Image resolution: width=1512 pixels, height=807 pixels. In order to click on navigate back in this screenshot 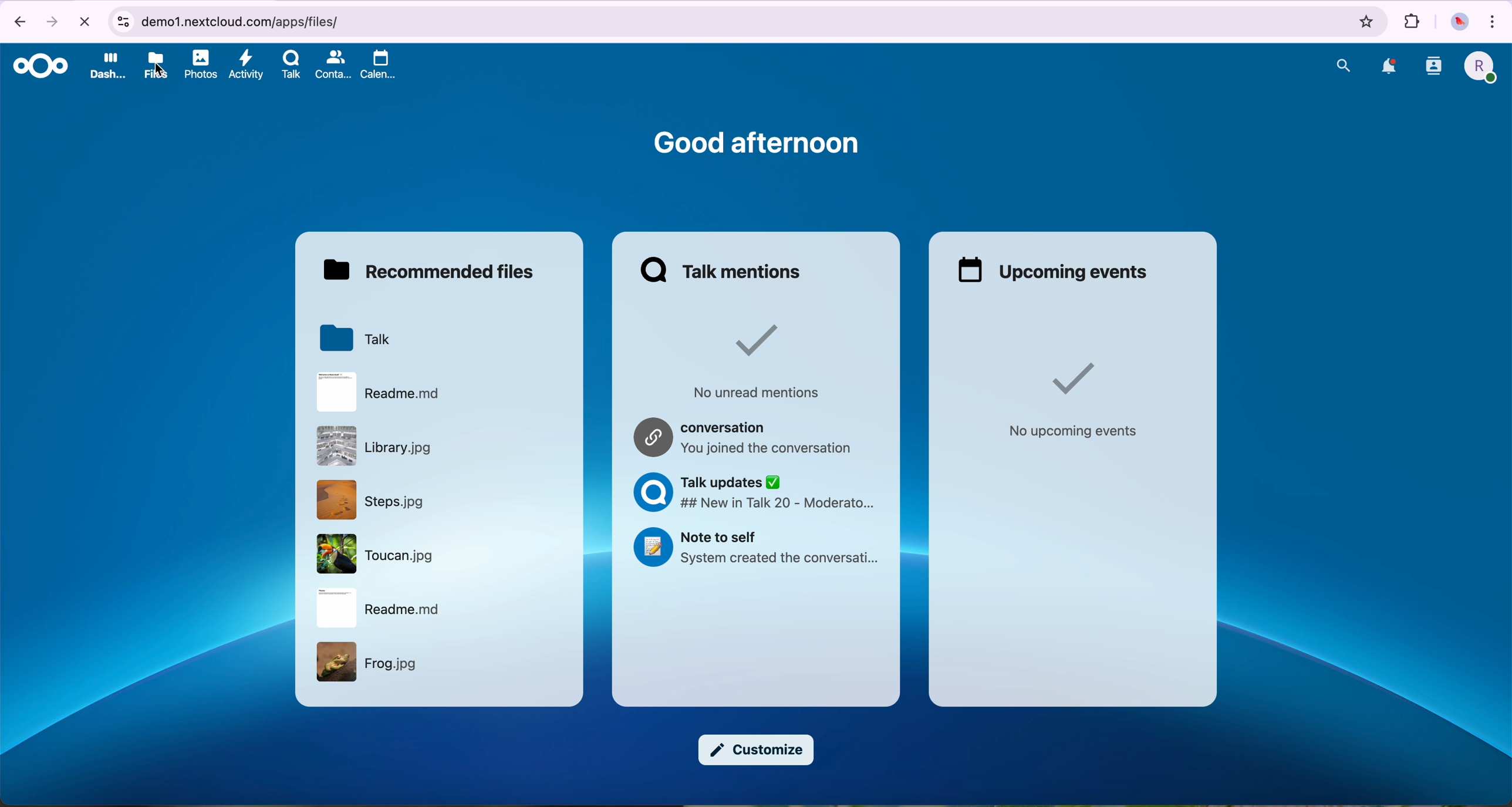, I will do `click(15, 21)`.